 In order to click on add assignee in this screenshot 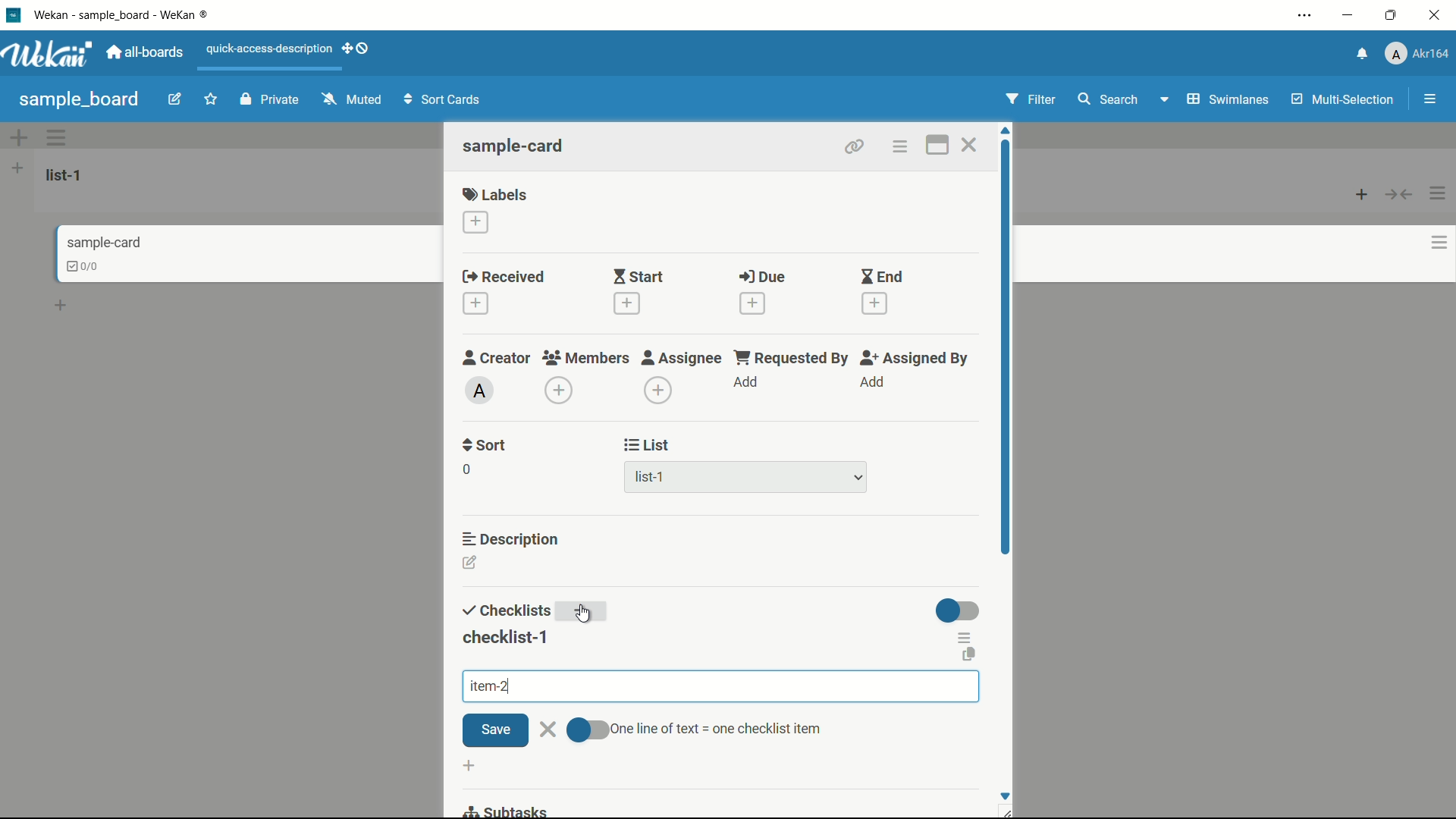, I will do `click(659, 391)`.